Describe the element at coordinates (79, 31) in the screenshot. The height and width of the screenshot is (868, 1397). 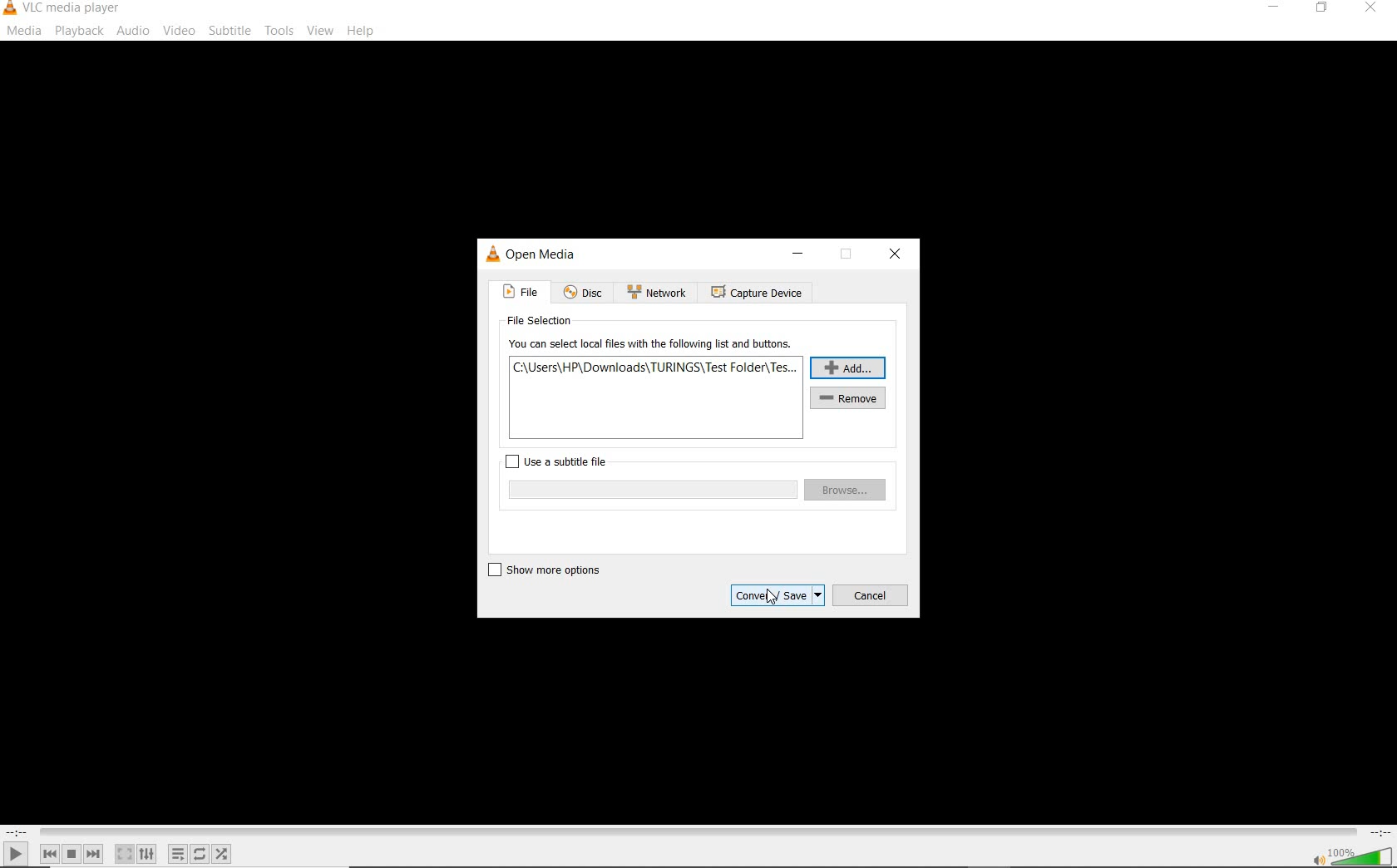
I see `playback` at that location.